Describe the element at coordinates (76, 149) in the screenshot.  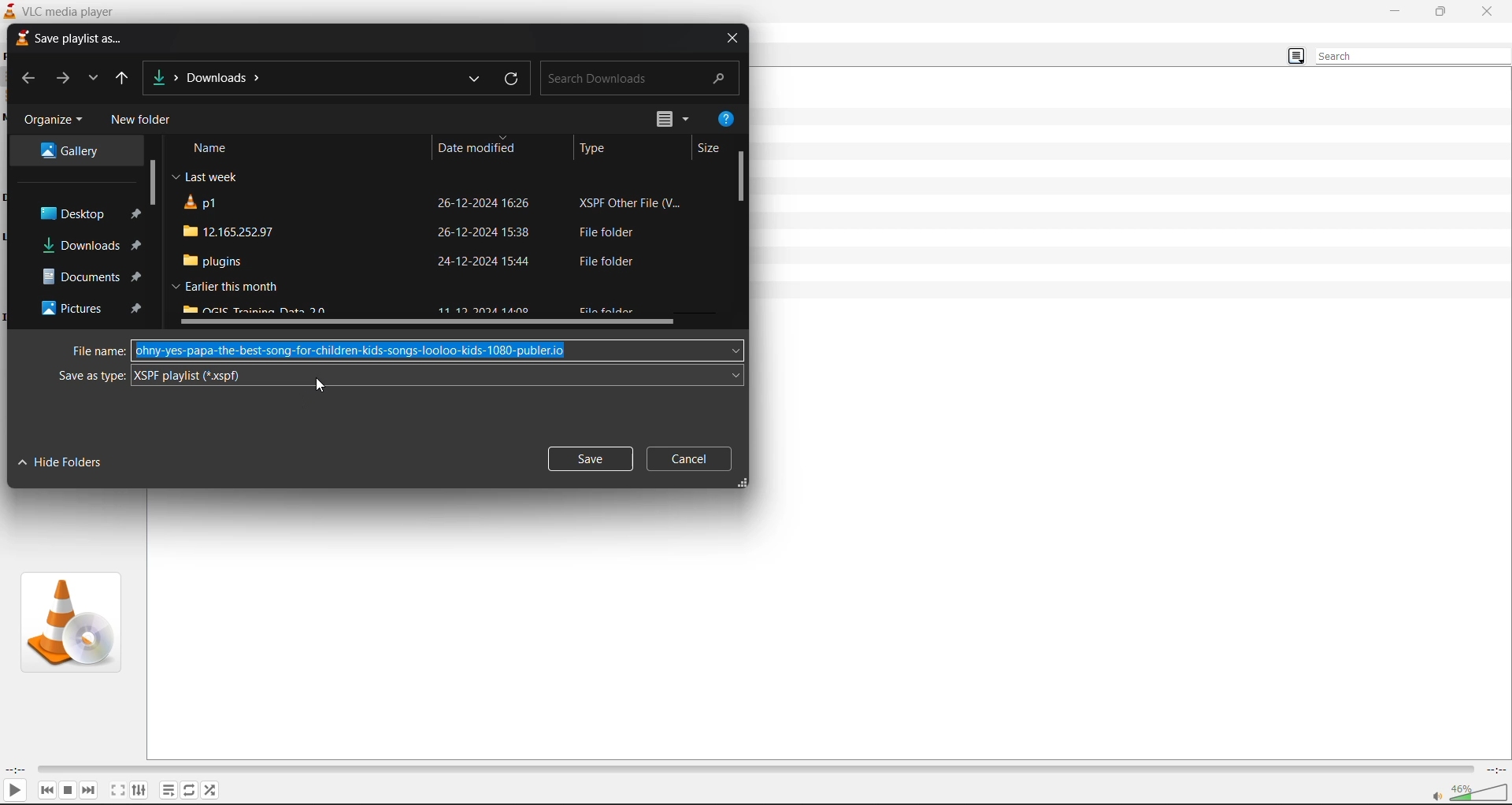
I see `gallery` at that location.